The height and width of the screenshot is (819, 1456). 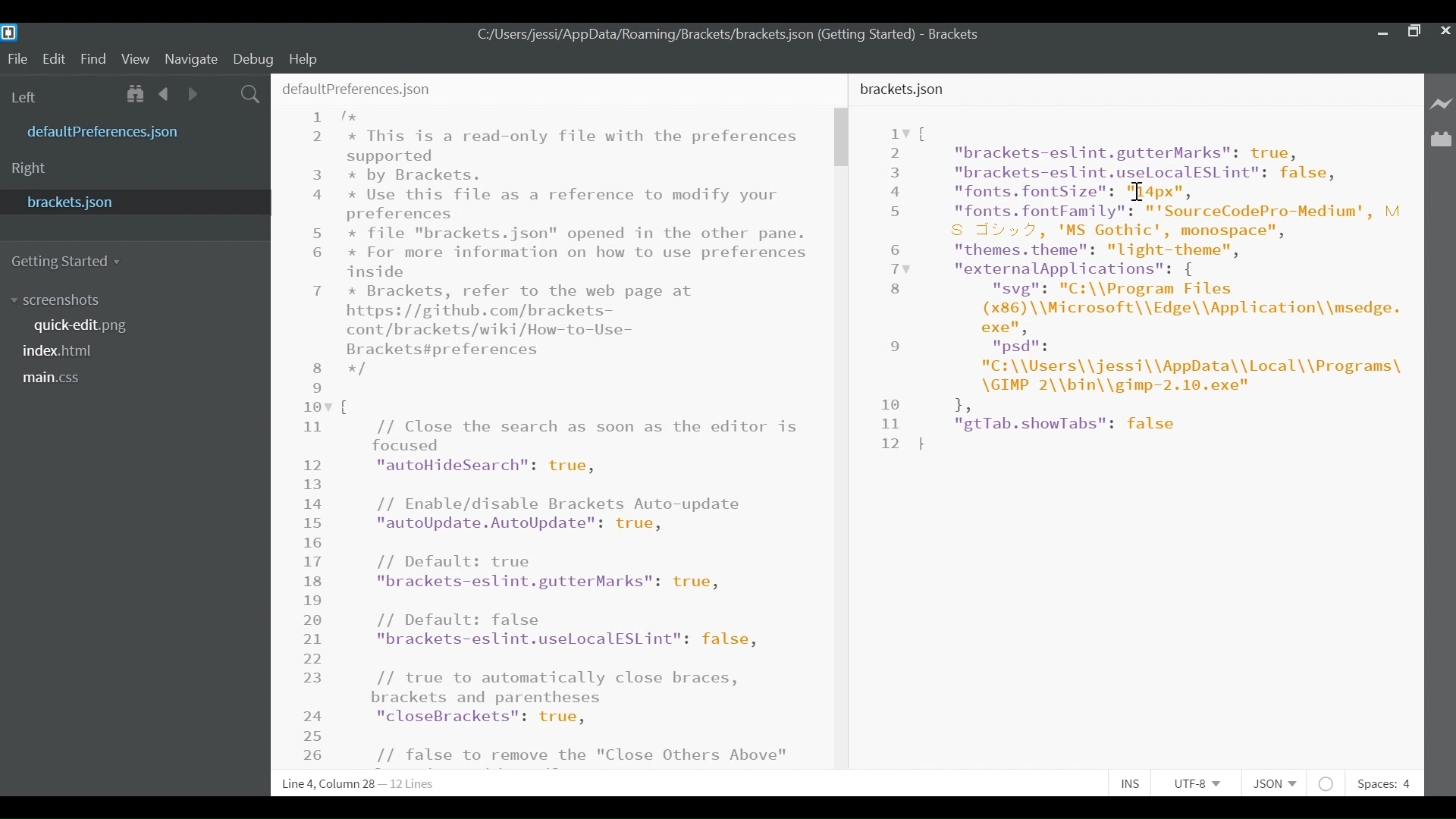 What do you see at coordinates (315, 436) in the screenshot?
I see `Line Number` at bounding box center [315, 436].